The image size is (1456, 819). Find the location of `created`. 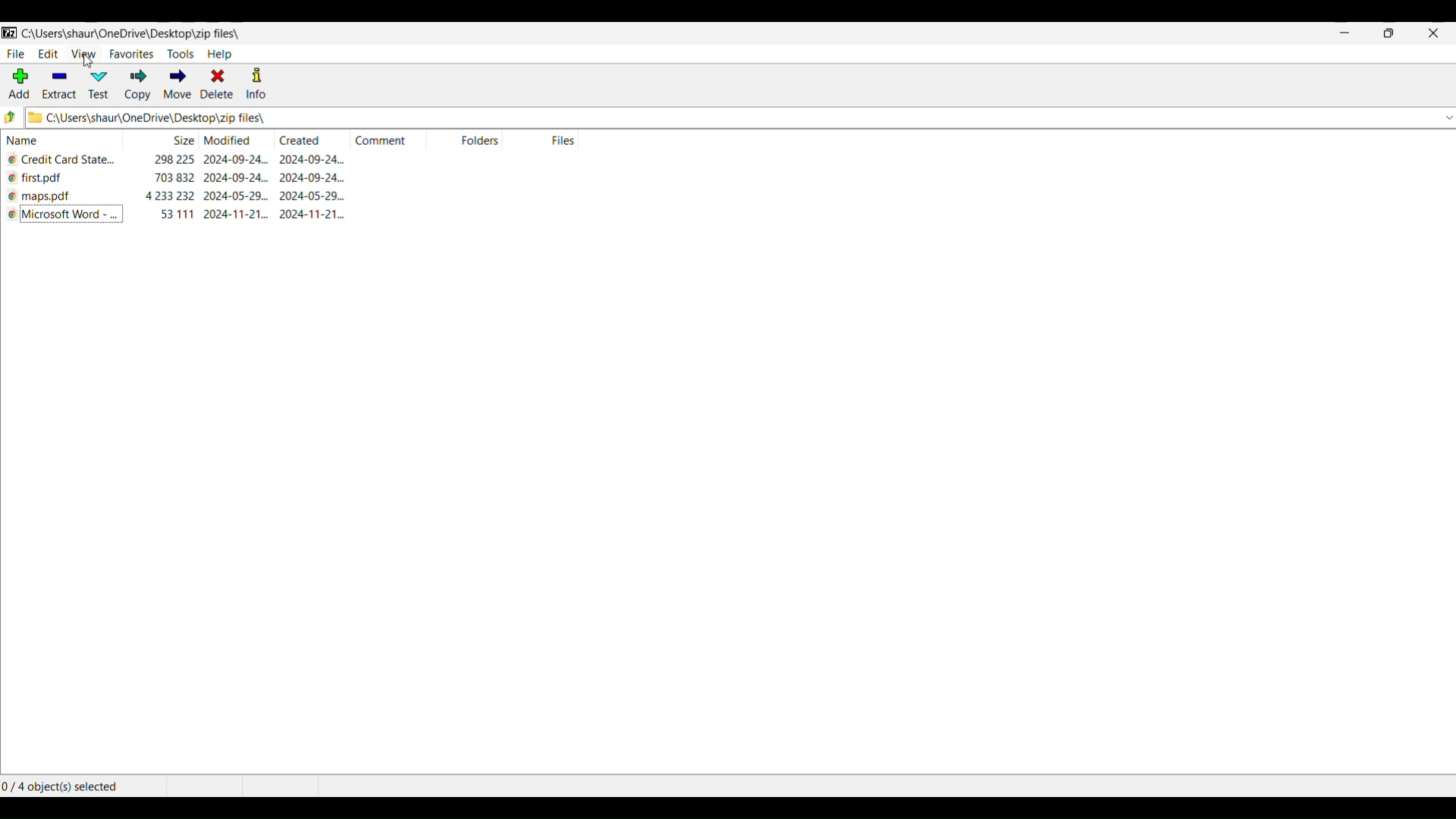

created is located at coordinates (300, 140).